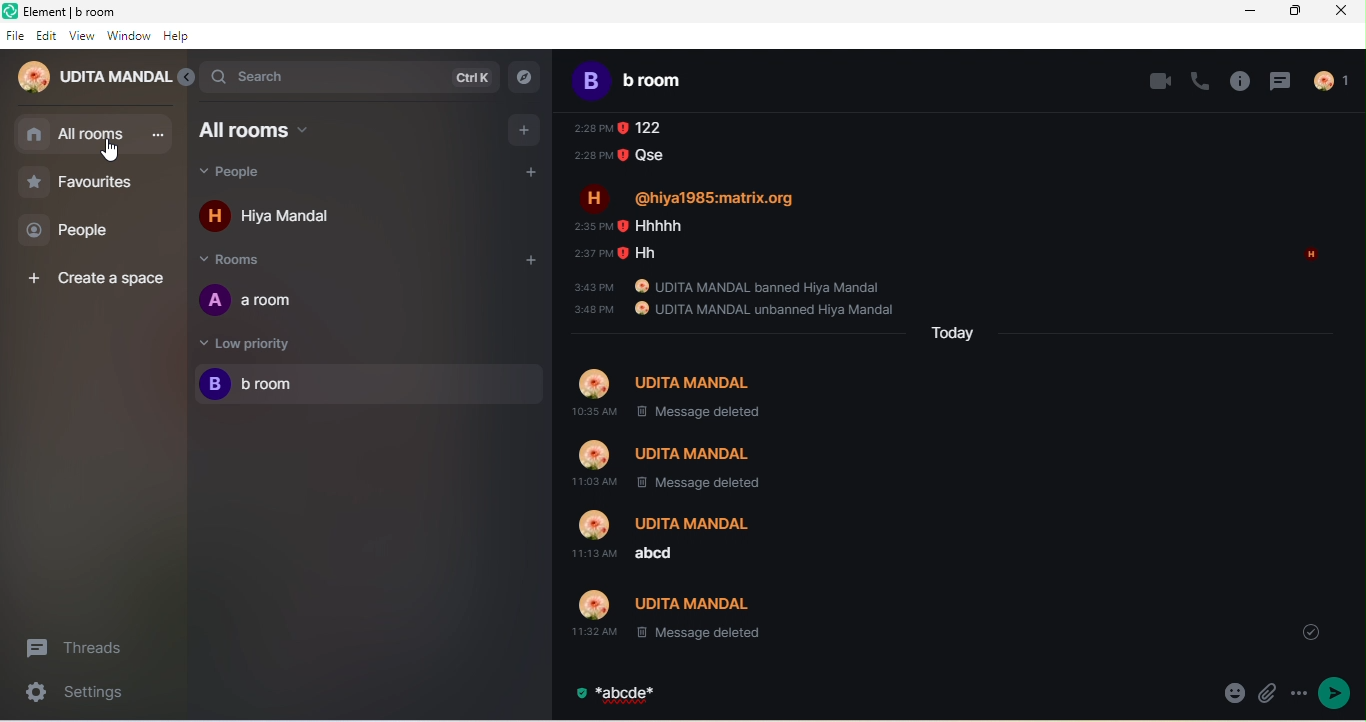 The height and width of the screenshot is (722, 1366). Describe the element at coordinates (48, 36) in the screenshot. I see `edit` at that location.